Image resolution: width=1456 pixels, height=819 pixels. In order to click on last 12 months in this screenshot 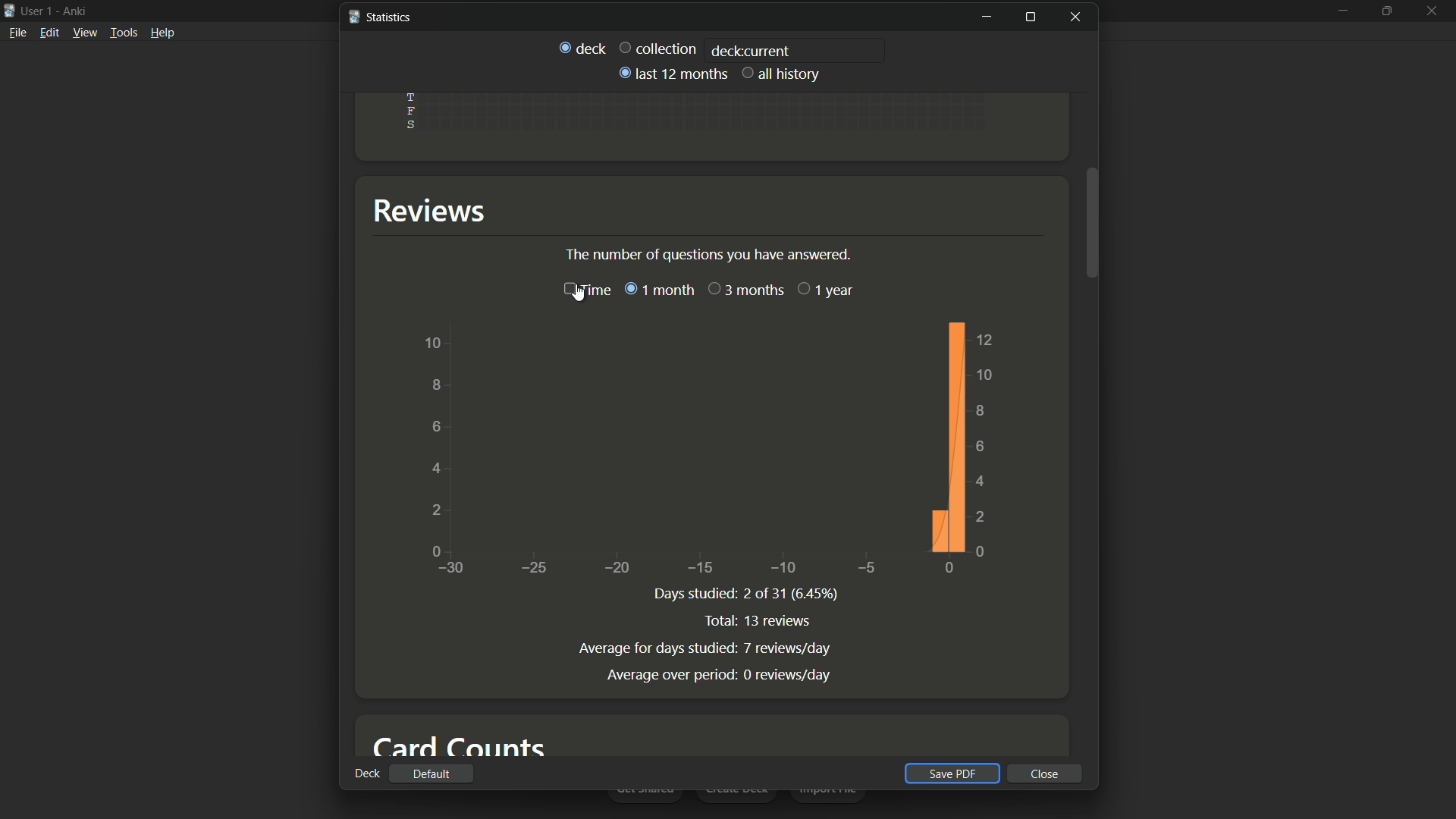, I will do `click(671, 74)`.